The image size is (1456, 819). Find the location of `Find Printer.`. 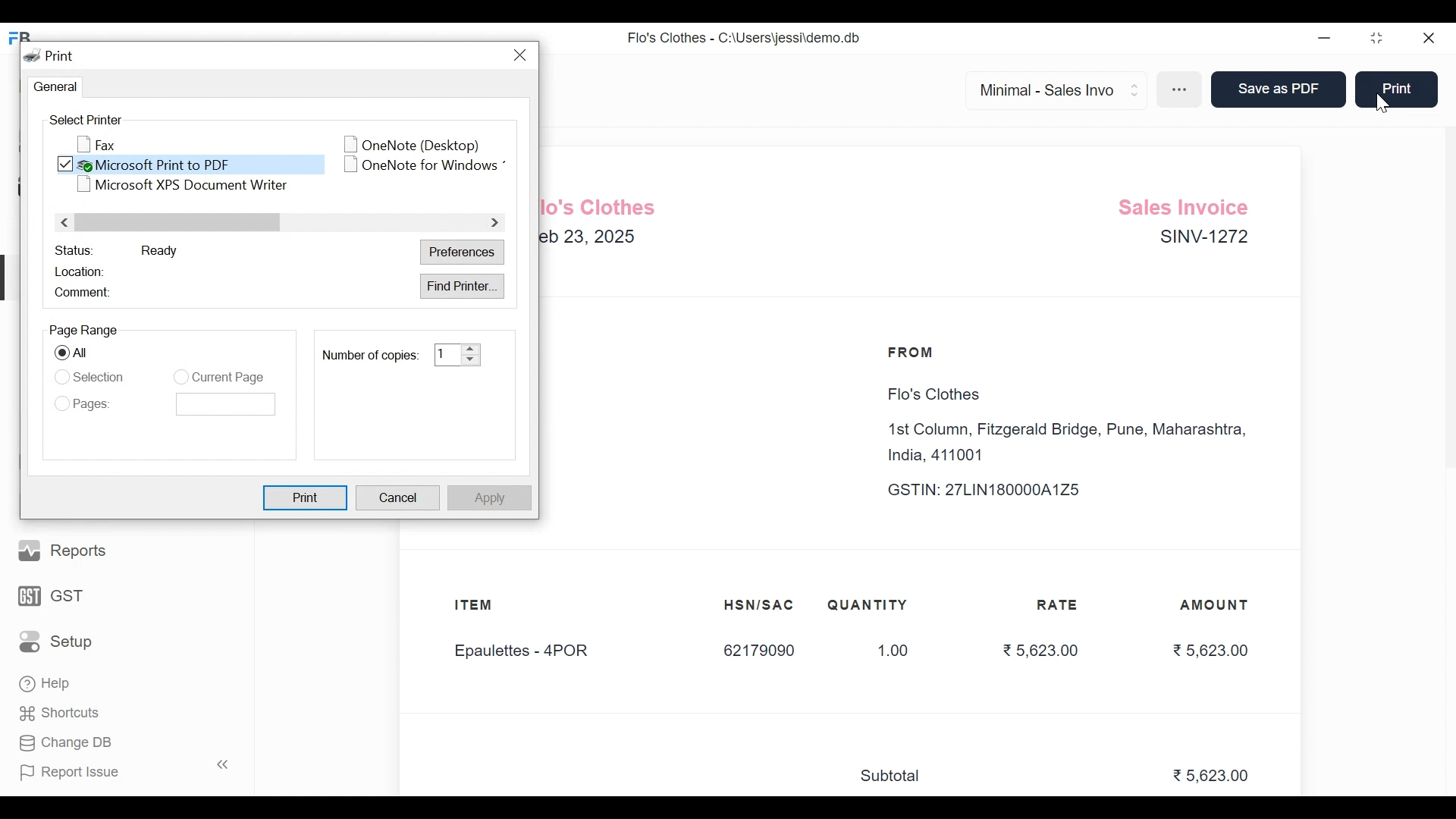

Find Printer. is located at coordinates (463, 286).